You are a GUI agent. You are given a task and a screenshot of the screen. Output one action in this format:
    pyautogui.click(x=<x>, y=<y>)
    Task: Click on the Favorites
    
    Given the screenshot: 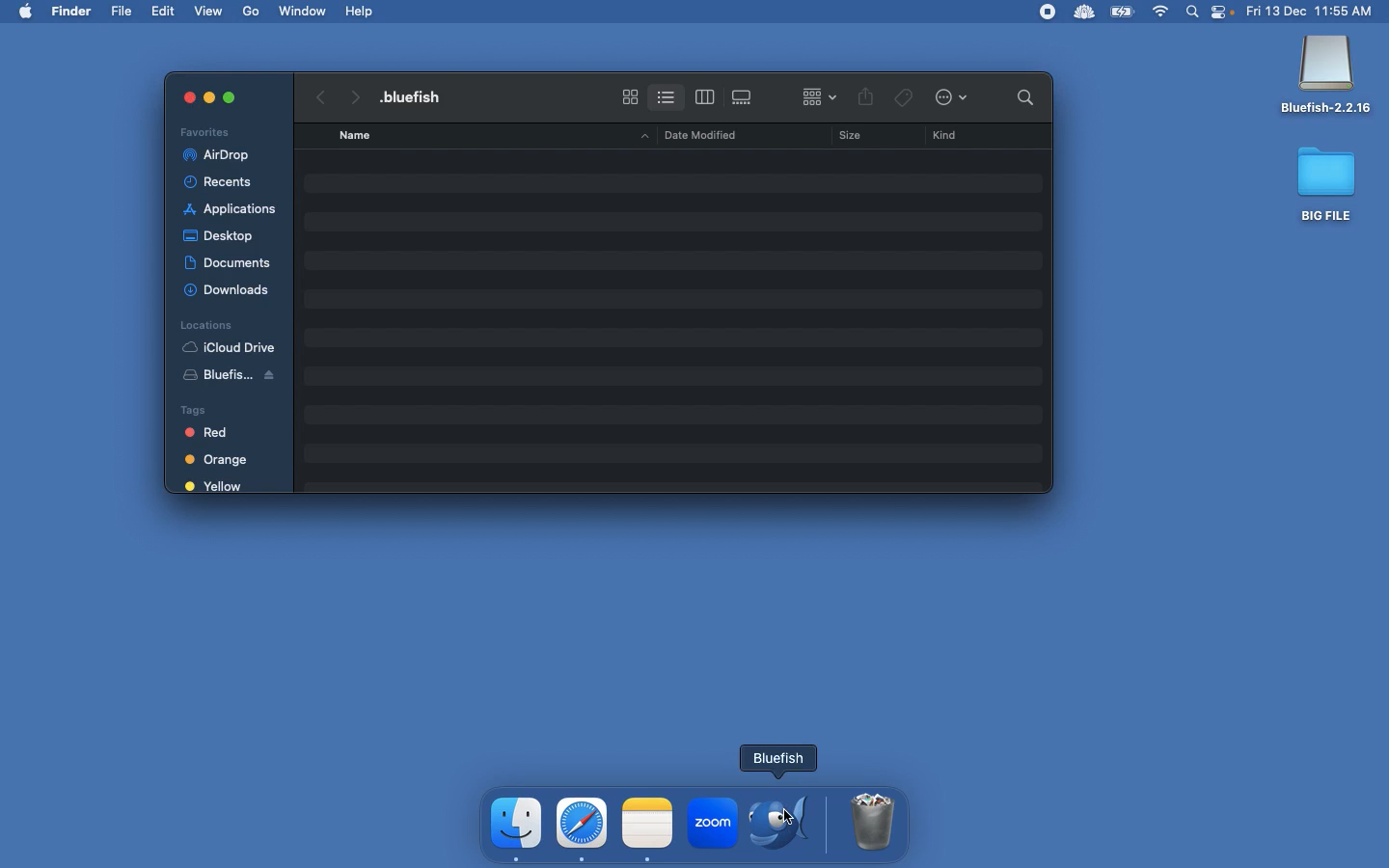 What is the action you would take?
    pyautogui.click(x=207, y=131)
    